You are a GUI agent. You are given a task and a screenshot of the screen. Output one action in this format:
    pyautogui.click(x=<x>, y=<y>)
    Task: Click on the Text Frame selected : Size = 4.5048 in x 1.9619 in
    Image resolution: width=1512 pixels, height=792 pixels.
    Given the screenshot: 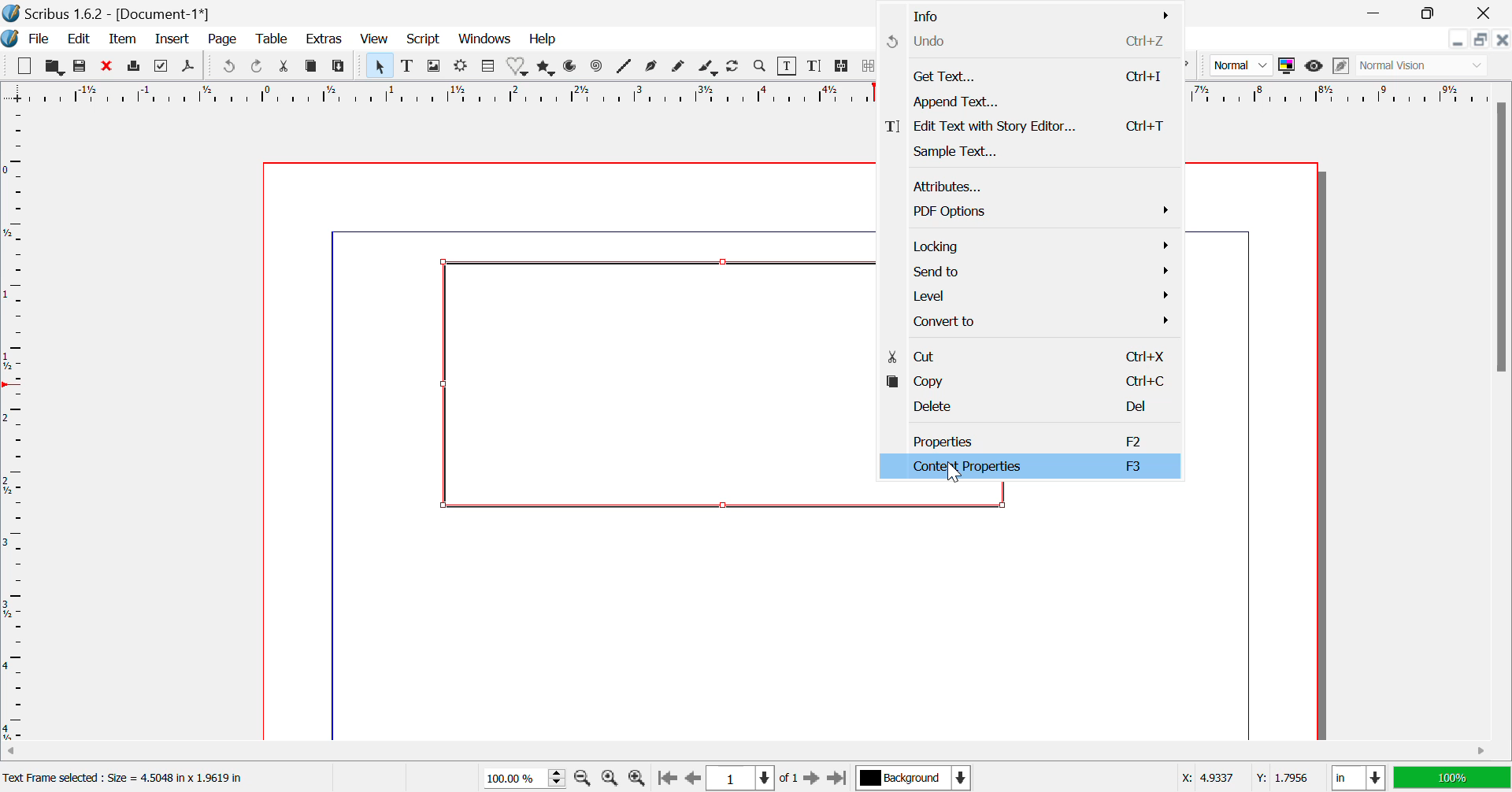 What is the action you would take?
    pyautogui.click(x=130, y=778)
    